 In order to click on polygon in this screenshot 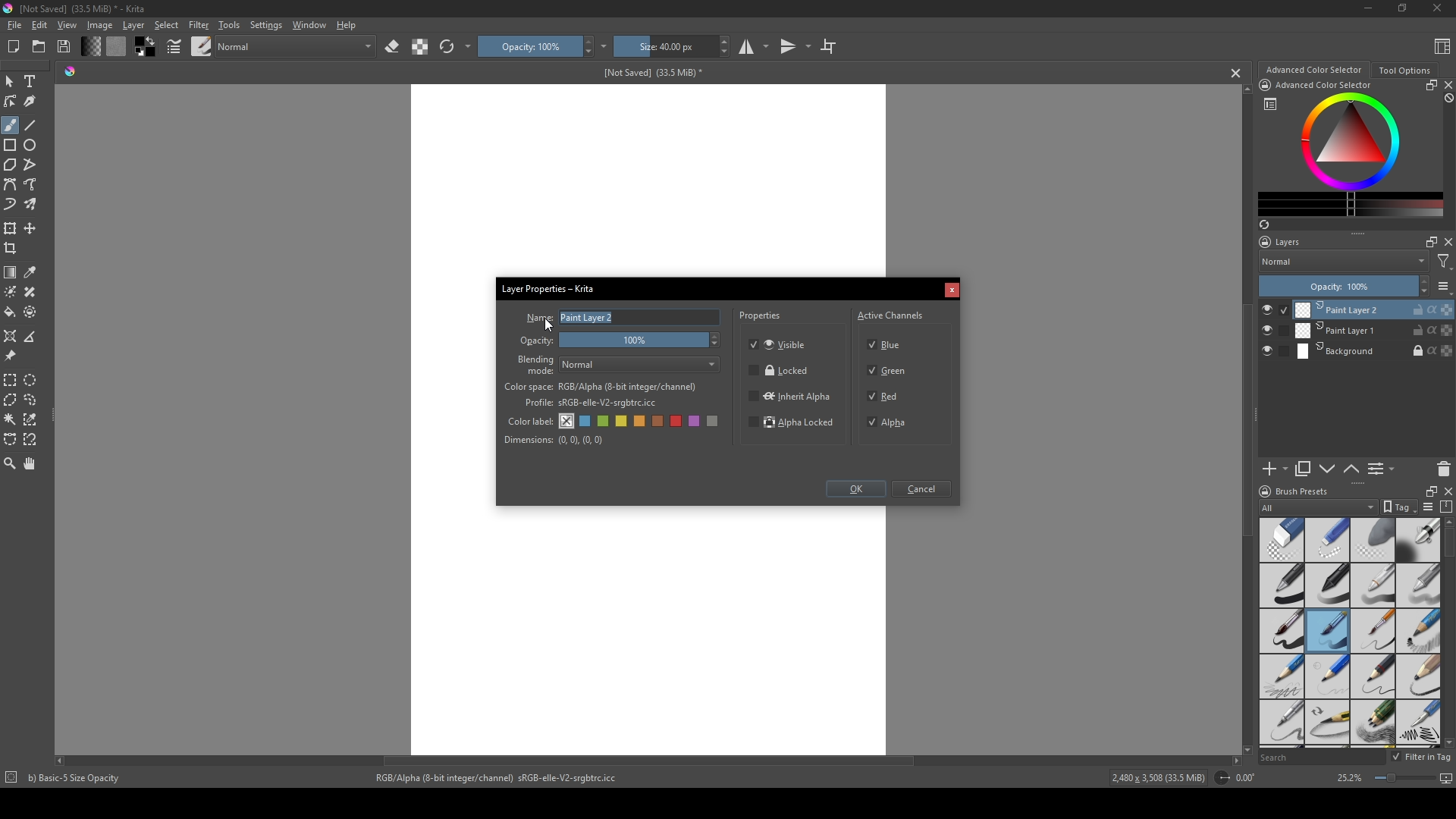, I will do `click(10, 165)`.